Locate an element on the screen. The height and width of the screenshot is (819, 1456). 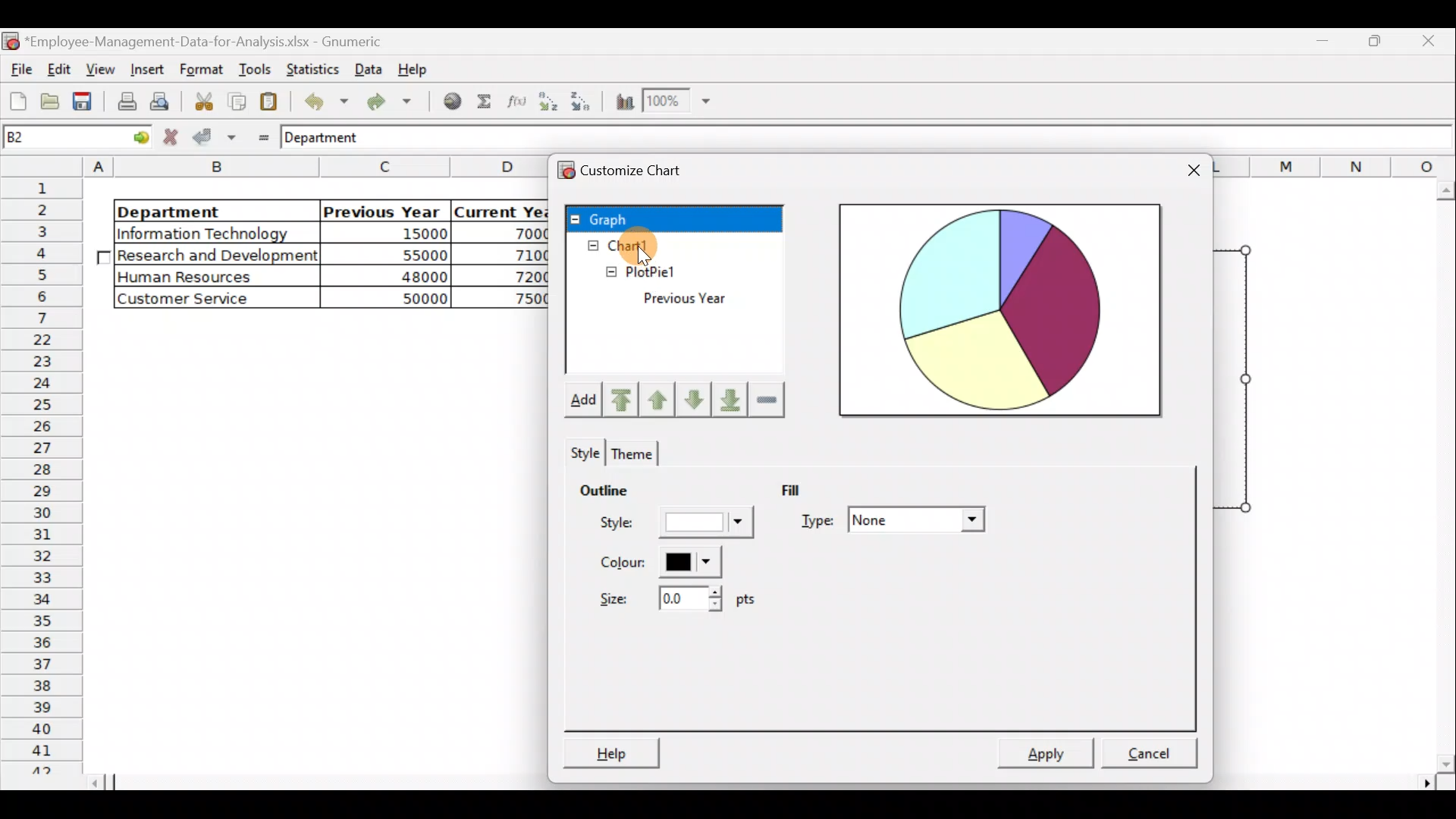
Research and Development is located at coordinates (218, 257).